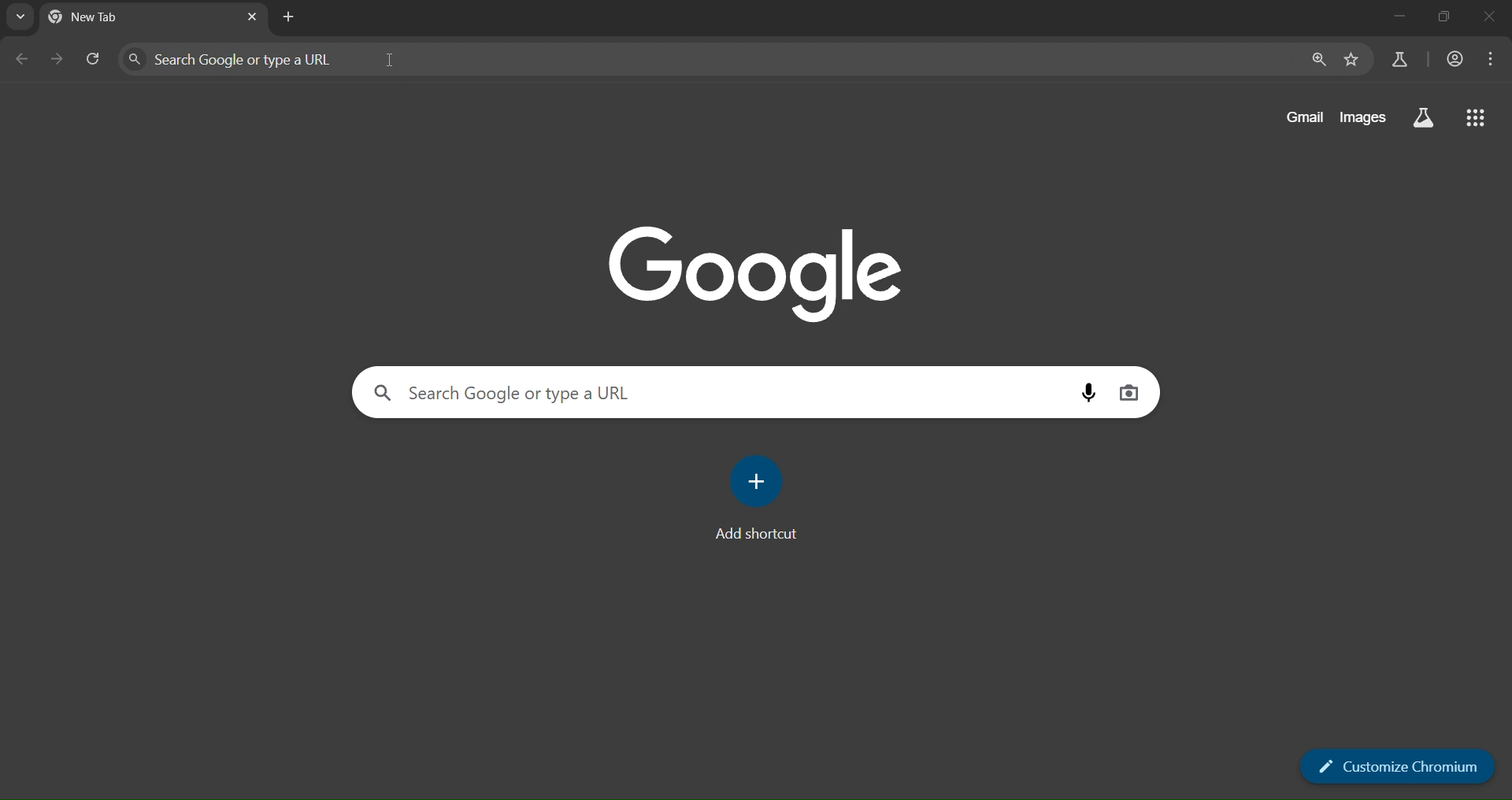  What do you see at coordinates (254, 15) in the screenshot?
I see `close tab` at bounding box center [254, 15].